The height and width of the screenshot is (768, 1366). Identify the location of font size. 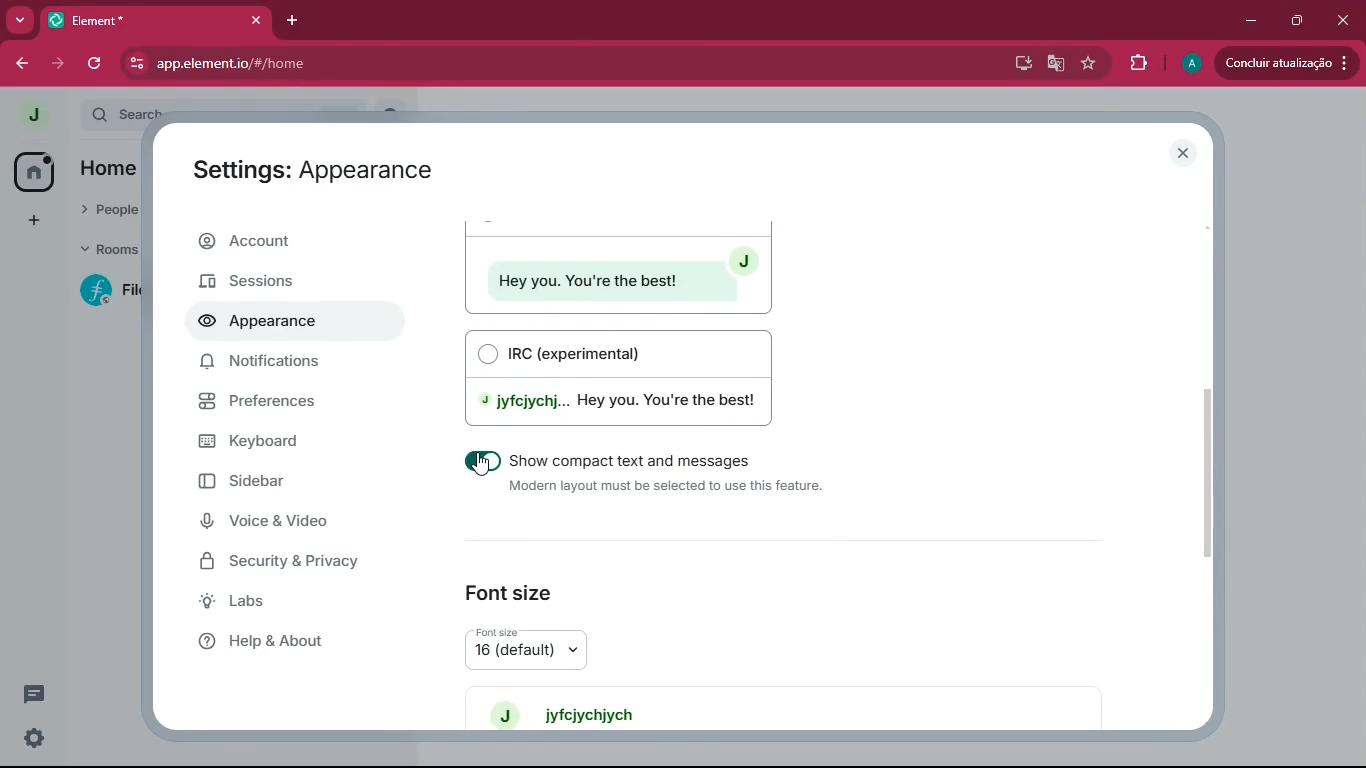
(512, 586).